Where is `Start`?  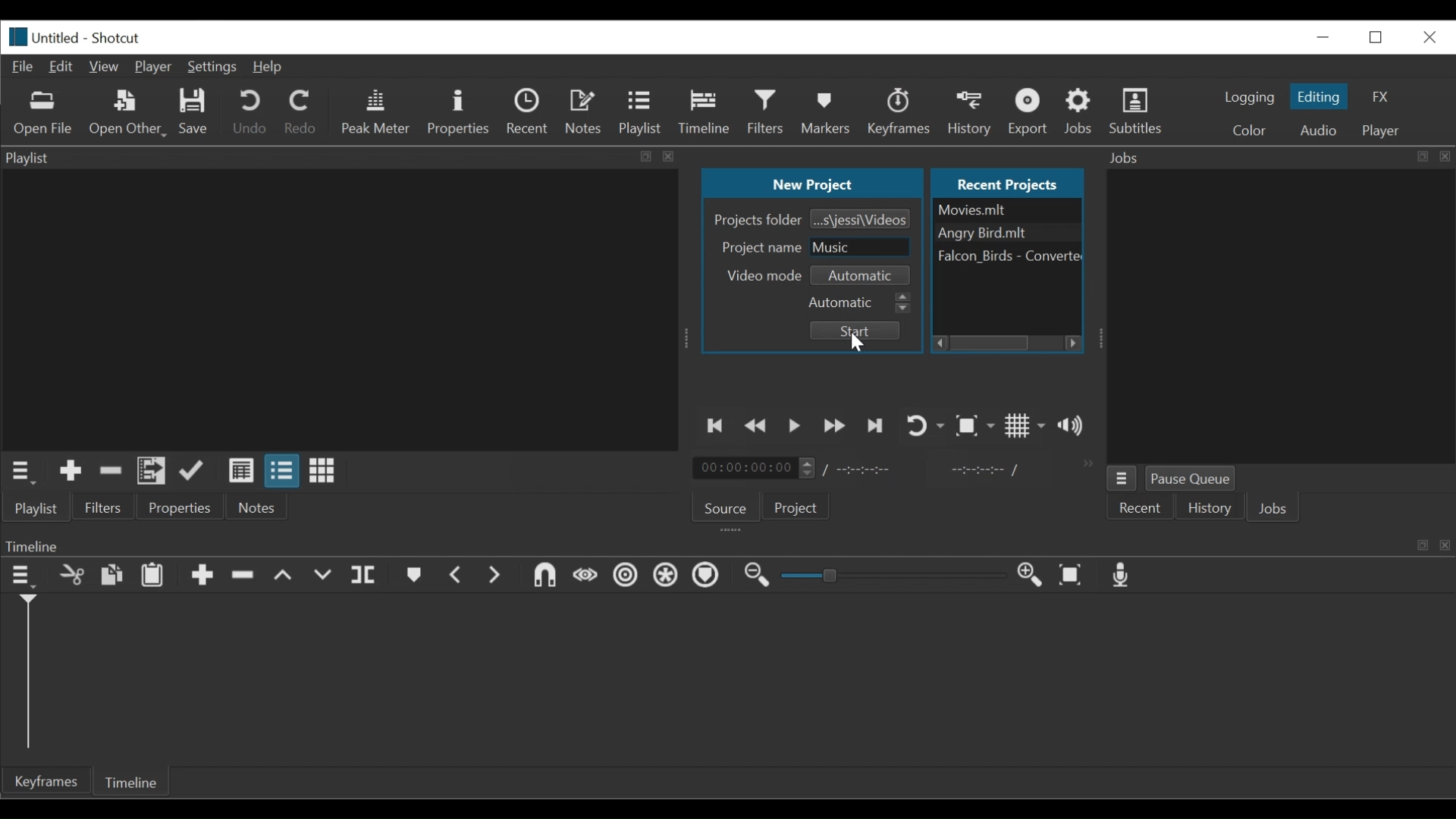 Start is located at coordinates (858, 330).